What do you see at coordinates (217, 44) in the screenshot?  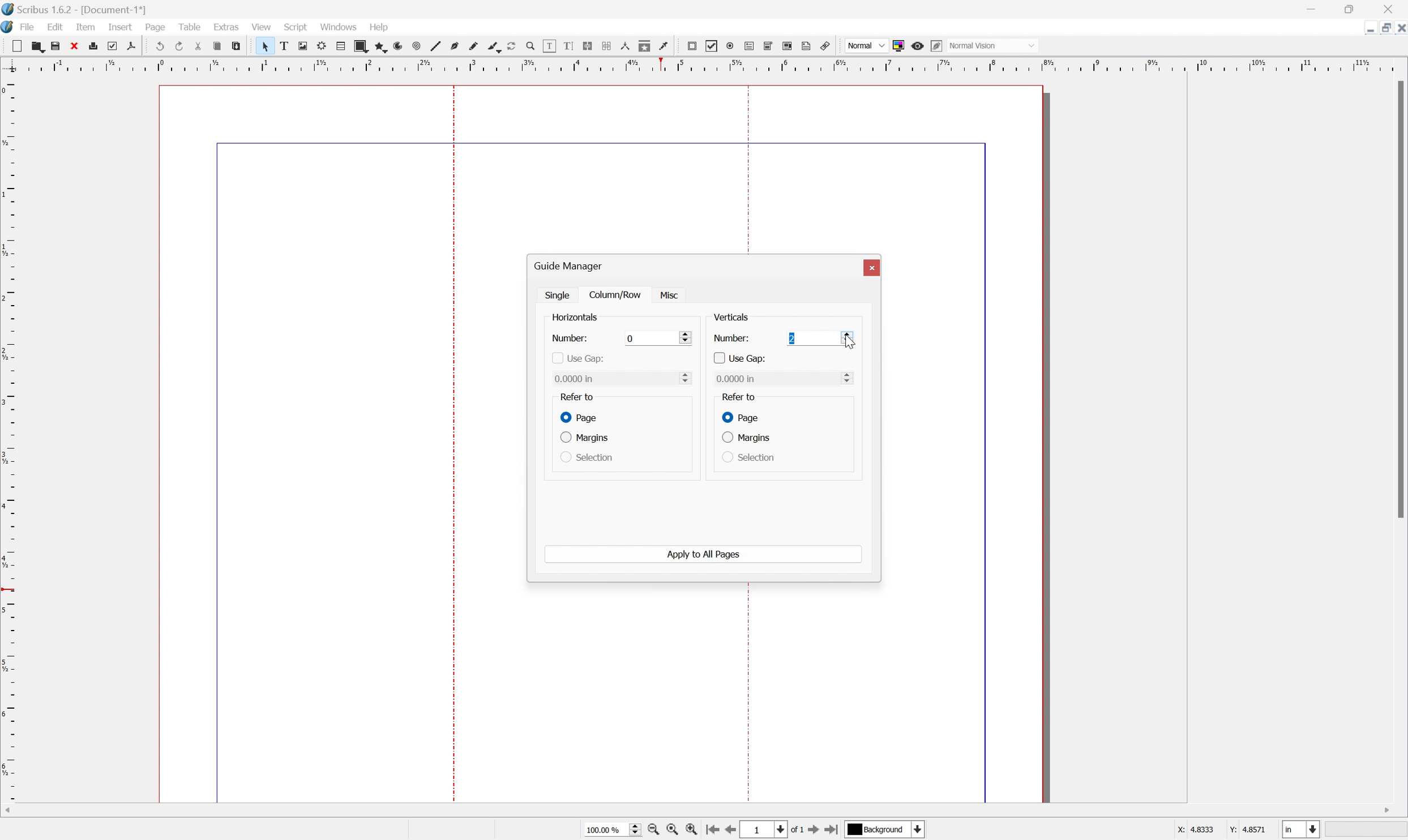 I see `copy` at bounding box center [217, 44].